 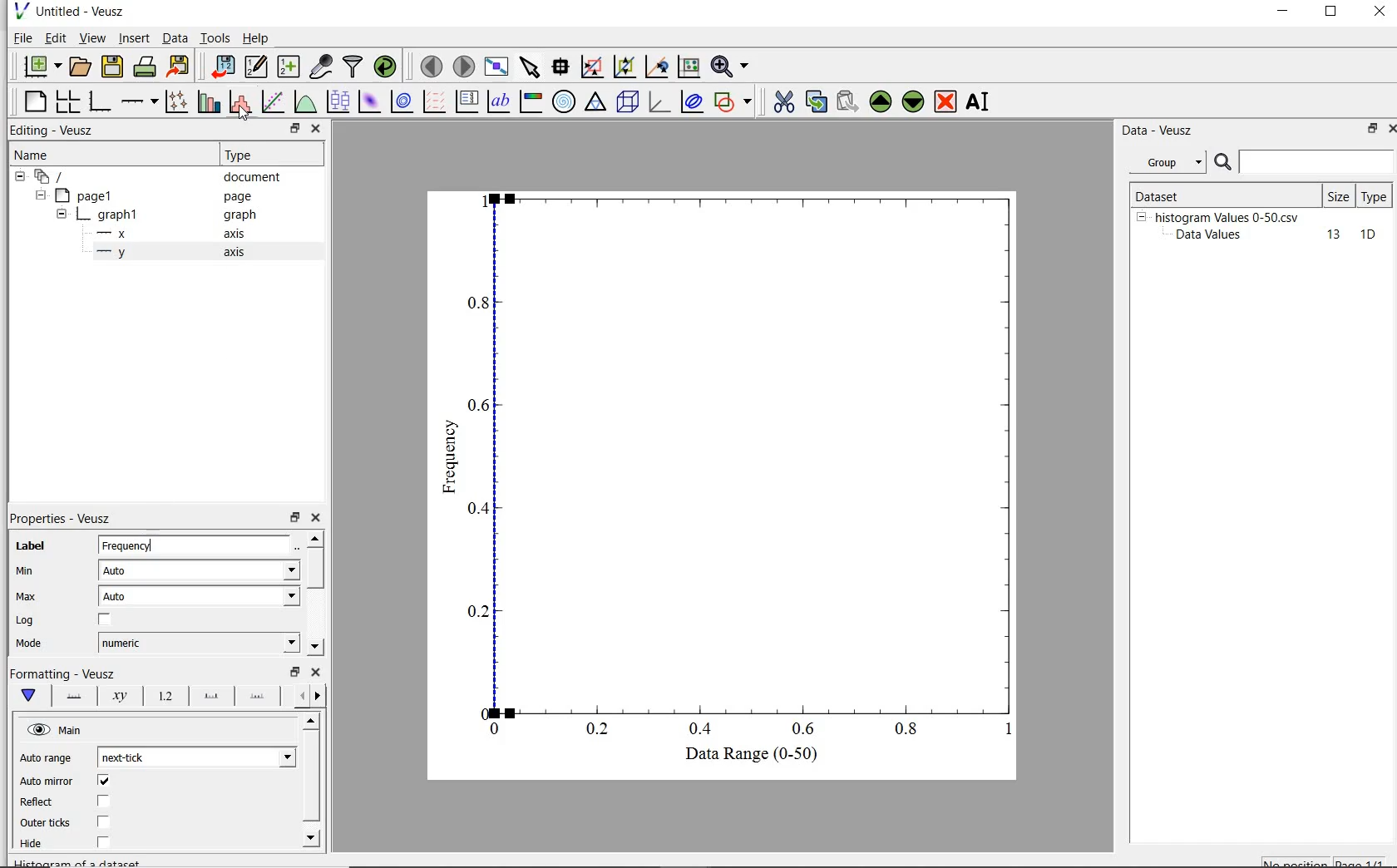 What do you see at coordinates (317, 129) in the screenshot?
I see `close` at bounding box center [317, 129].